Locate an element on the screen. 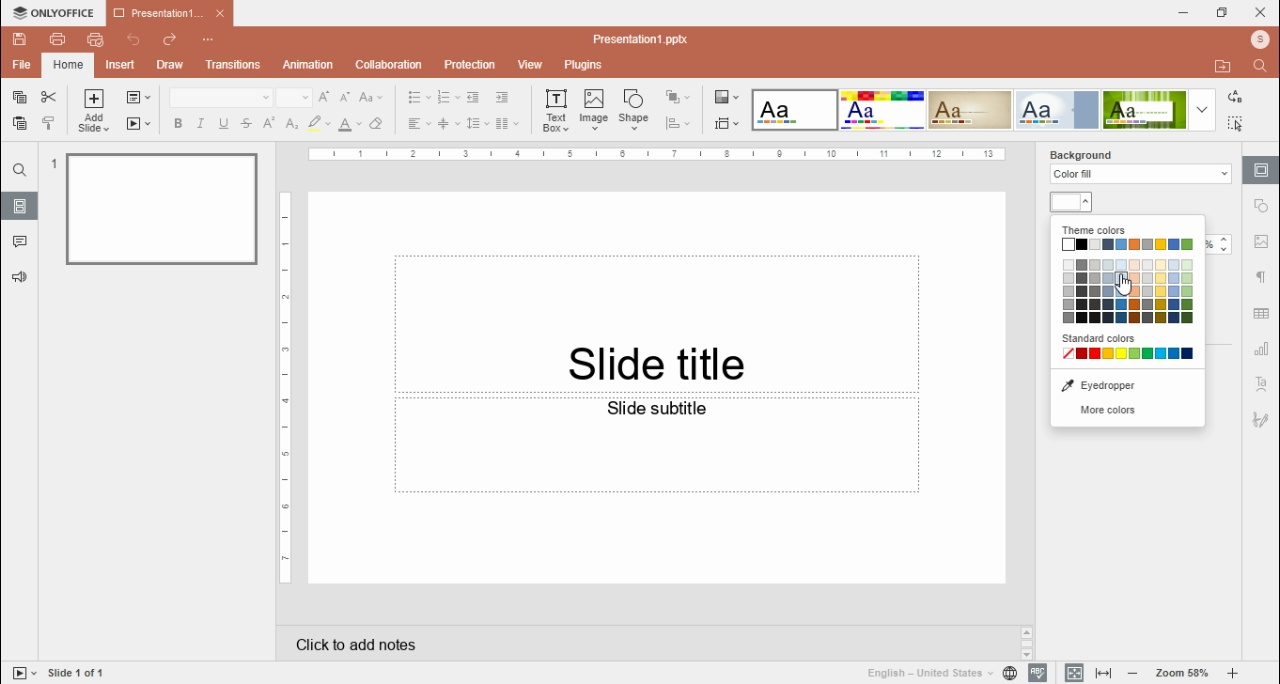  underline is located at coordinates (224, 124).